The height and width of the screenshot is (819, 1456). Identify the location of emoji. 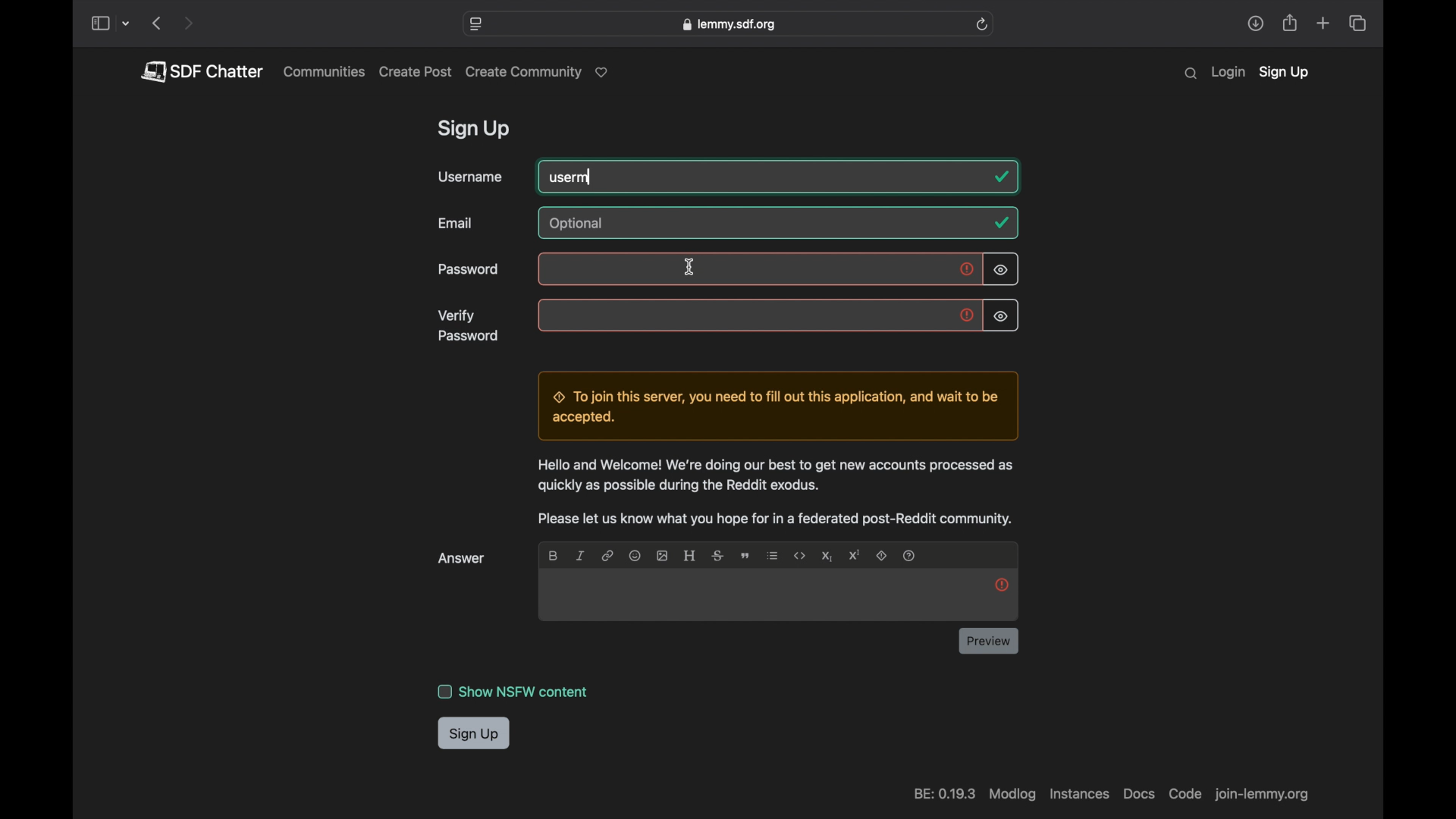
(634, 555).